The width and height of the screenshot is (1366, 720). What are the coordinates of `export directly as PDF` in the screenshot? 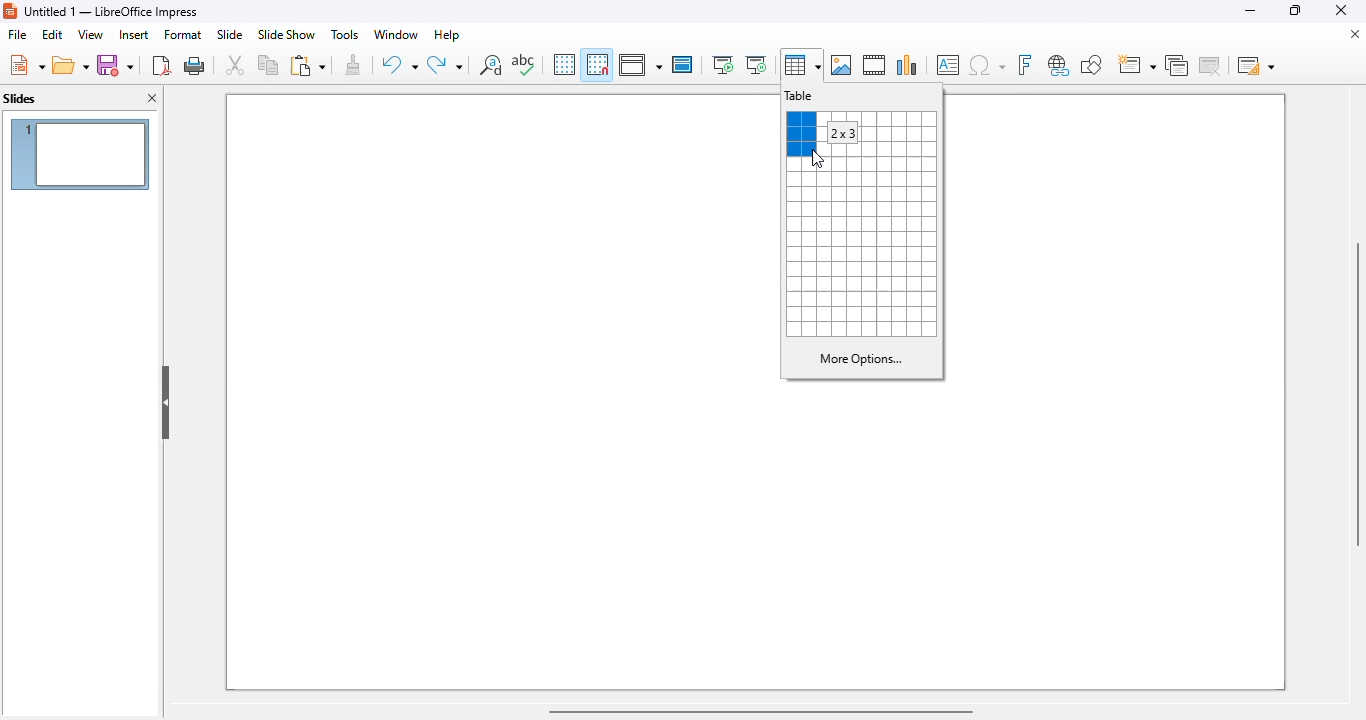 It's located at (161, 65).